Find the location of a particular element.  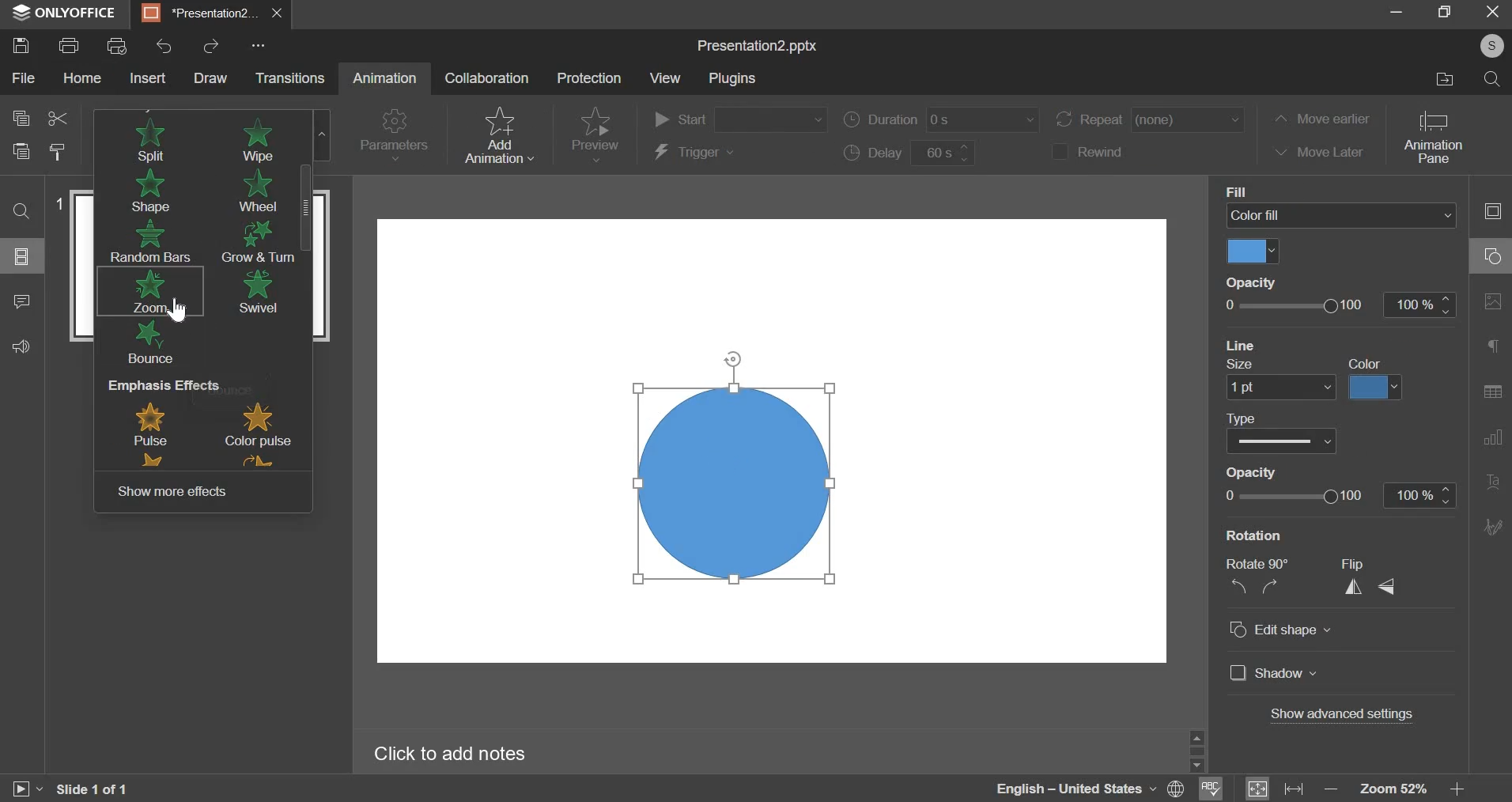

draw is located at coordinates (212, 78).